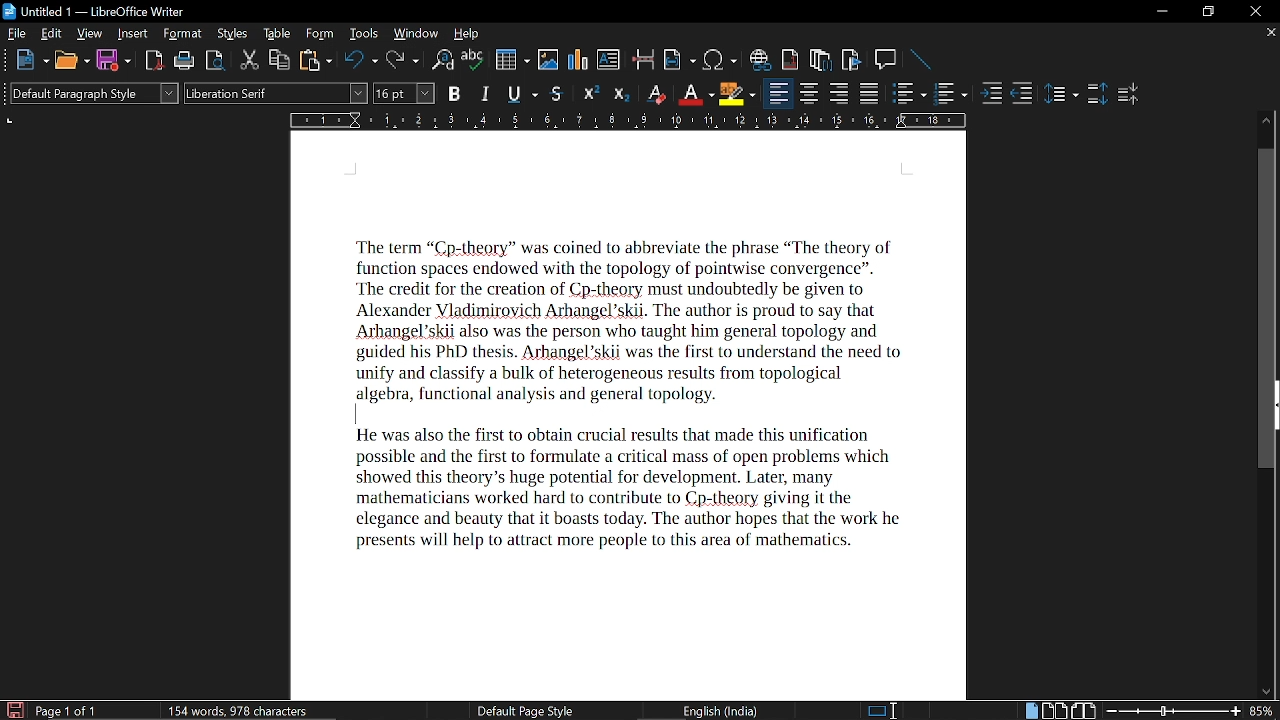  What do you see at coordinates (154, 61) in the screenshot?
I see `Export directly as pdf` at bounding box center [154, 61].